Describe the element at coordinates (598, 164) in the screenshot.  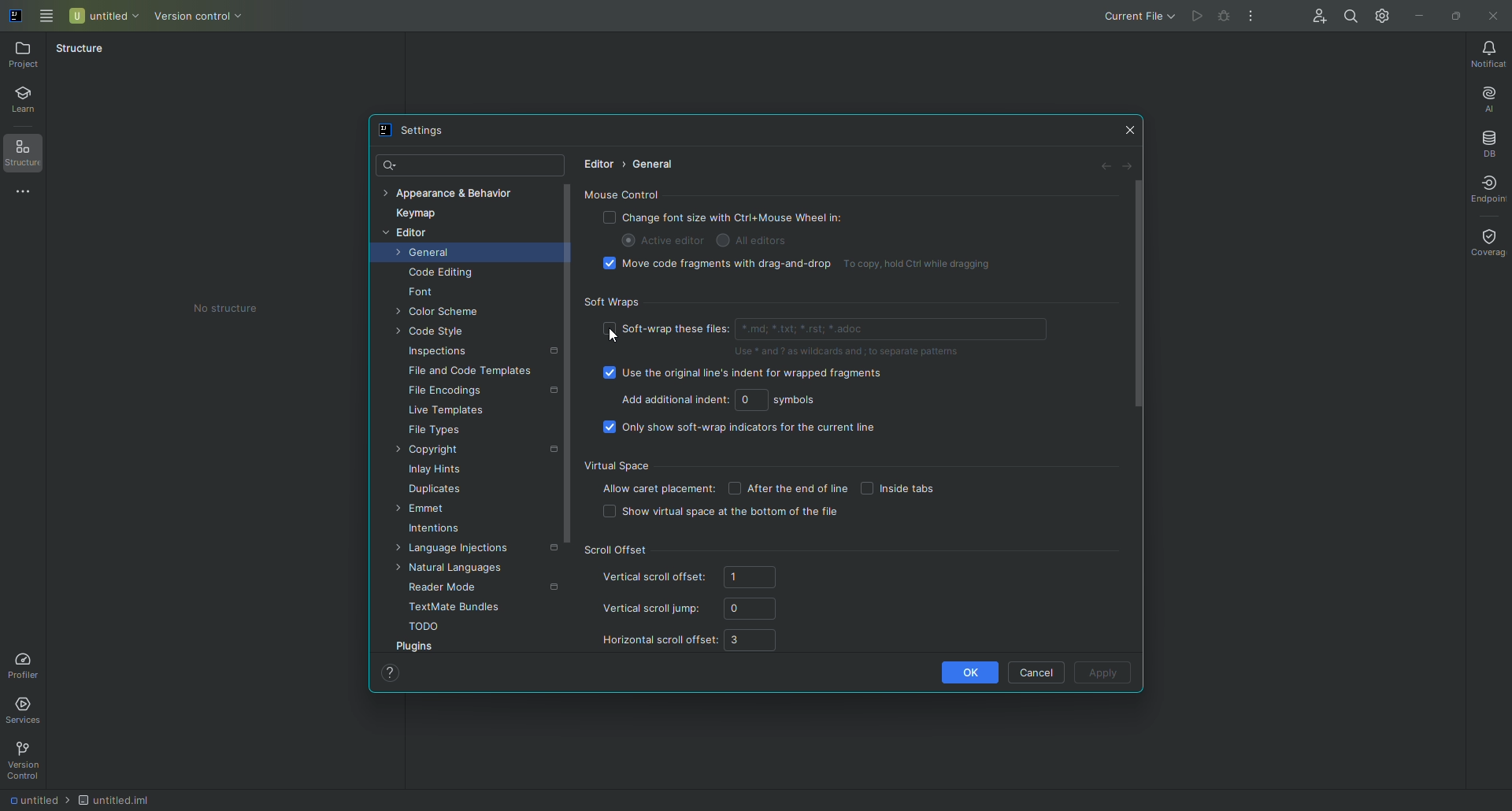
I see `Editor` at that location.